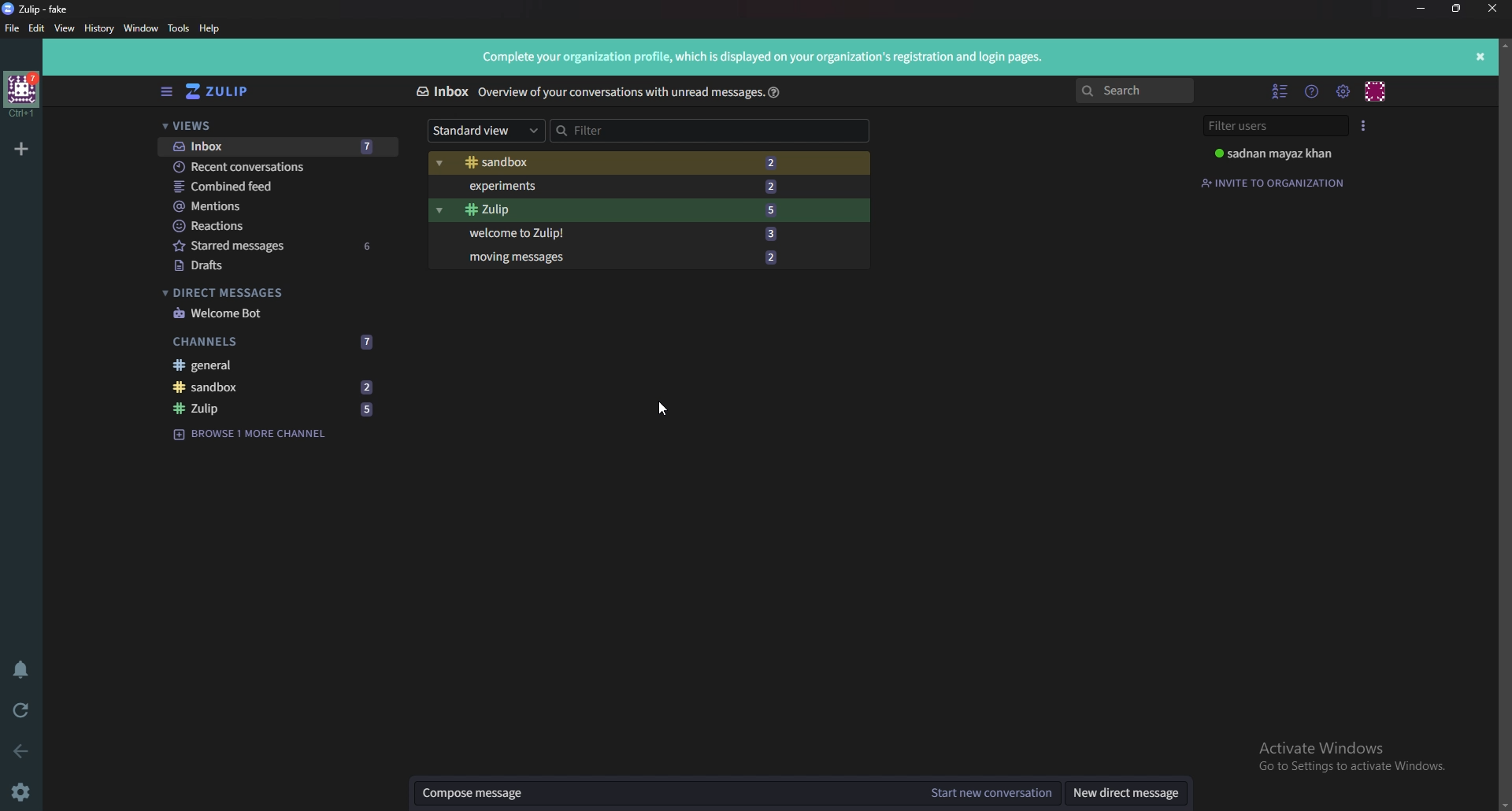 This screenshot has width=1512, height=811. What do you see at coordinates (632, 164) in the screenshot?
I see `Sandbox` at bounding box center [632, 164].